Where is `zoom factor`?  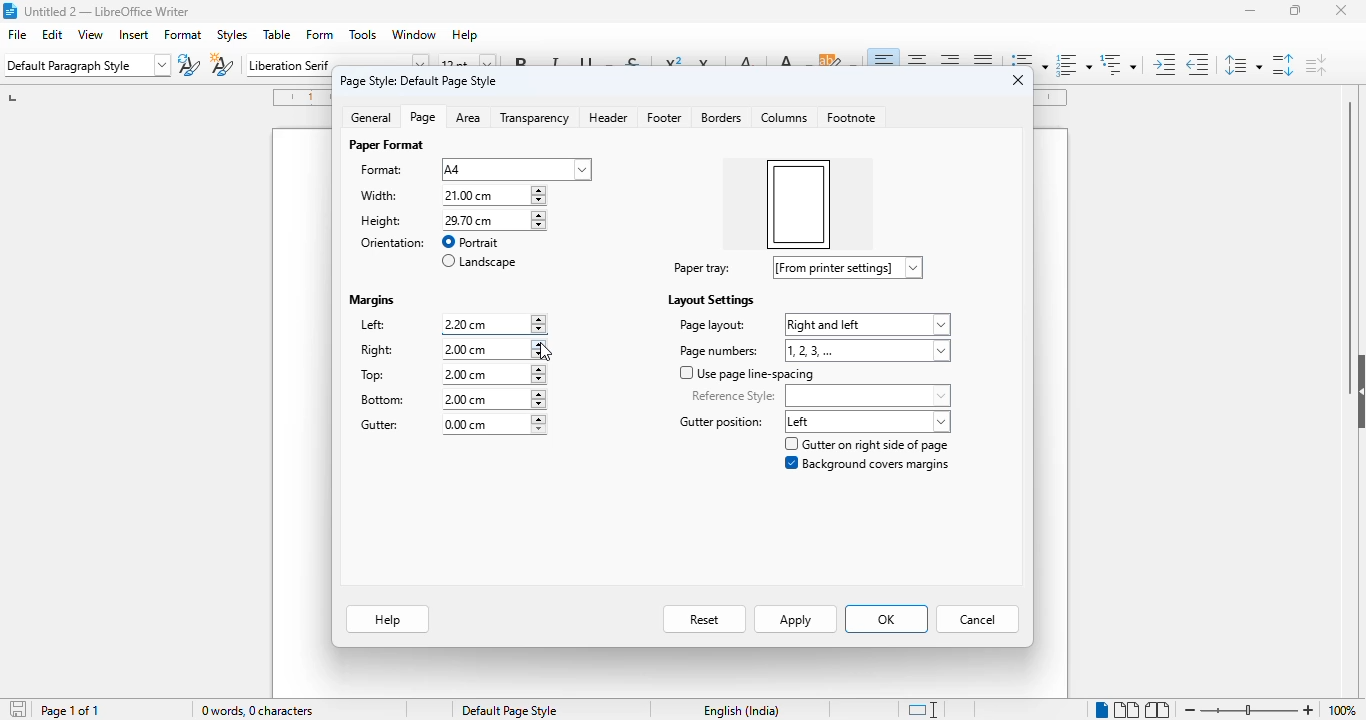
zoom factor is located at coordinates (1342, 711).